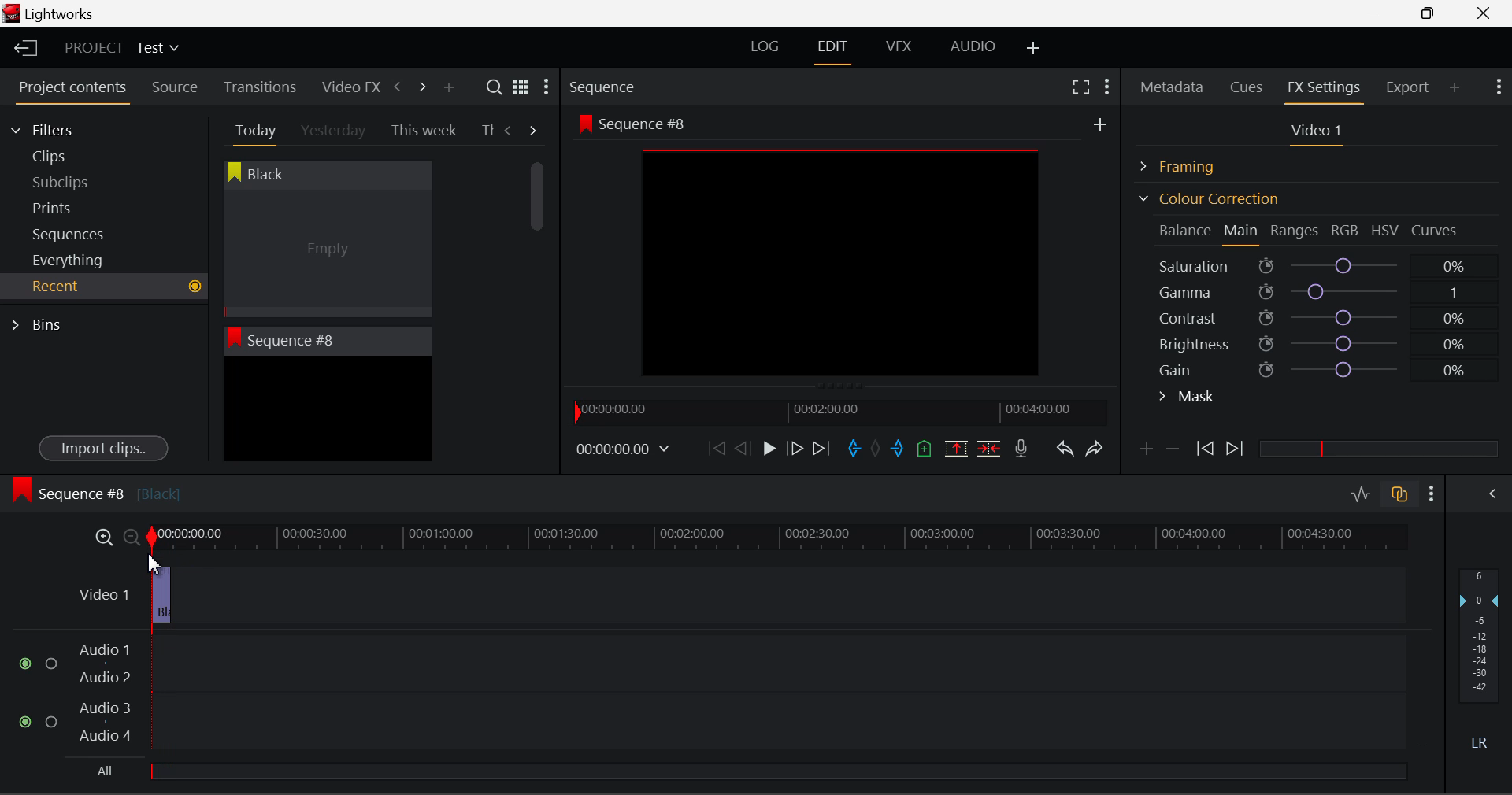 The image size is (1512, 795). What do you see at coordinates (77, 156) in the screenshot?
I see `Clips` at bounding box center [77, 156].